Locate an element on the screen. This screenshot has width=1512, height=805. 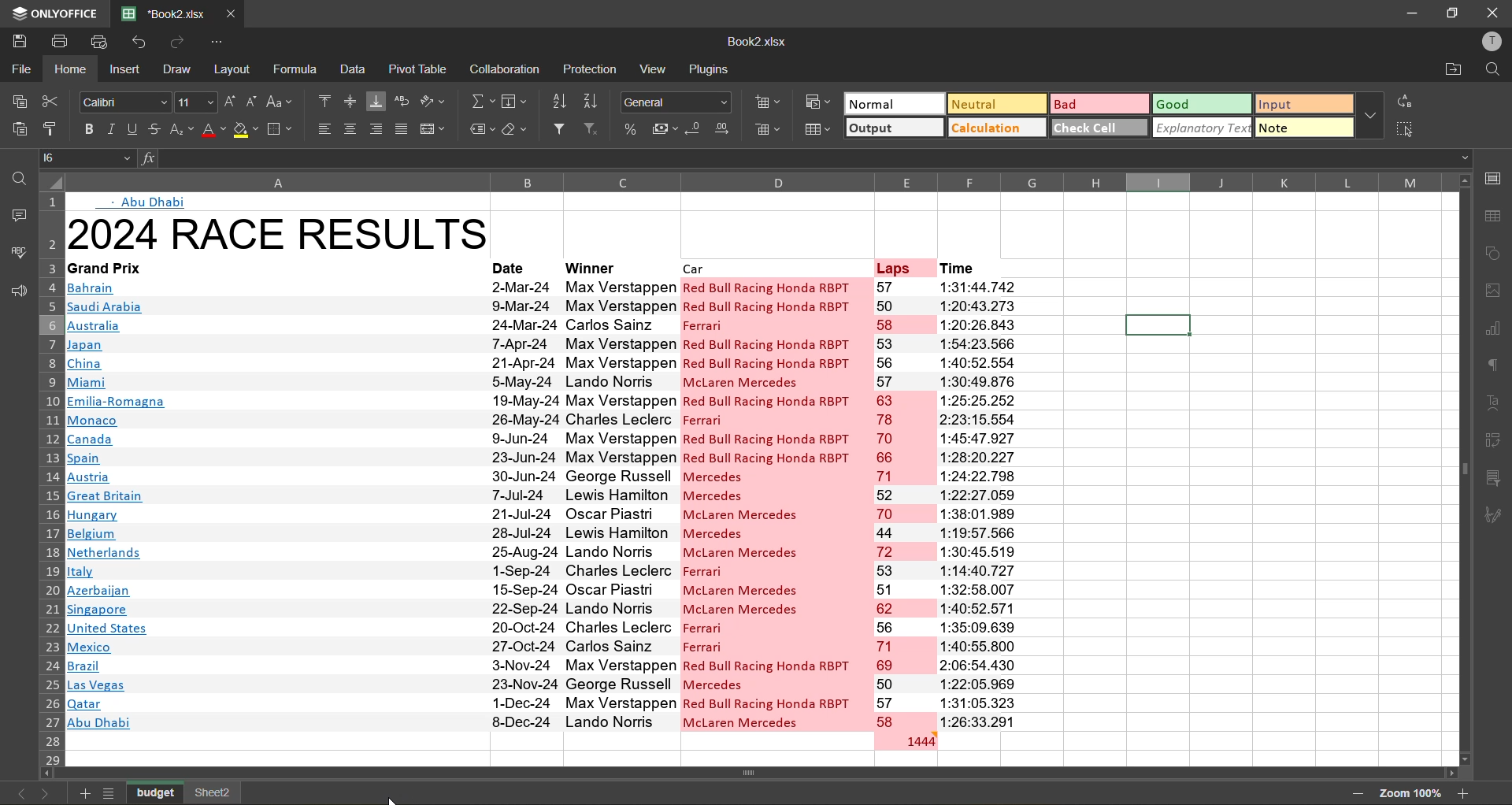
align right is located at coordinates (375, 130).